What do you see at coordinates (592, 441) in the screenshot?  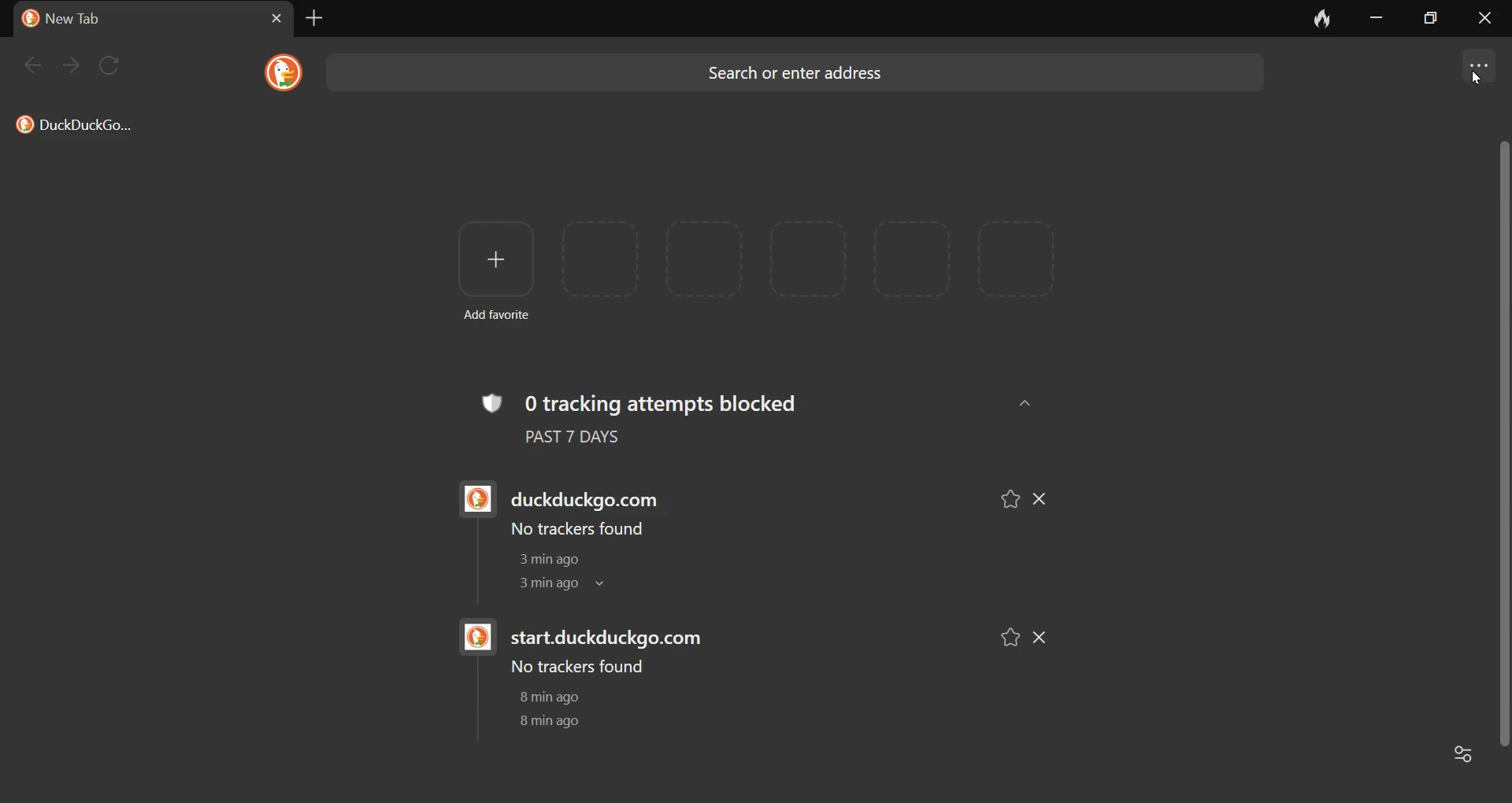 I see `past 7 days` at bounding box center [592, 441].